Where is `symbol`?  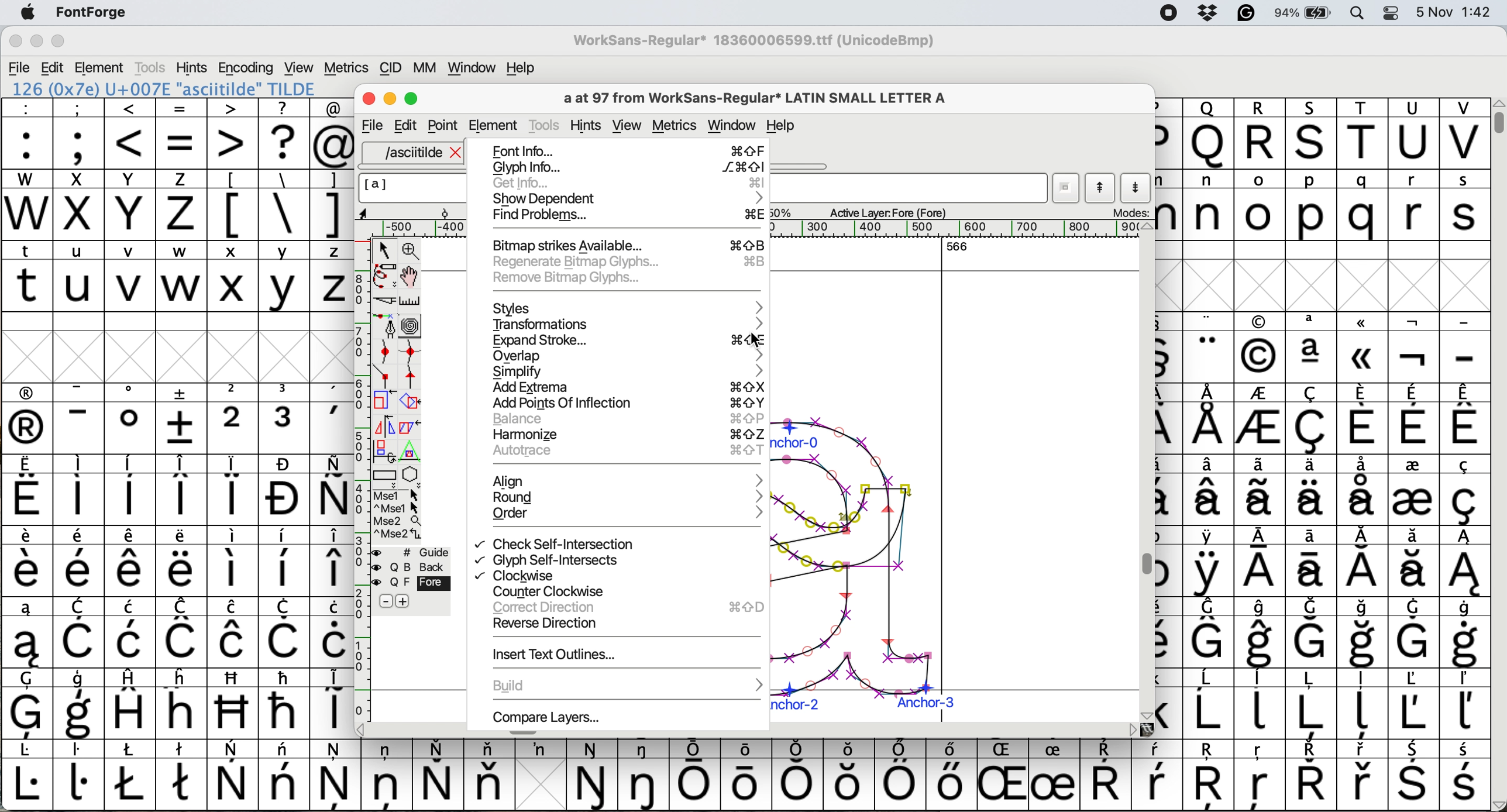 symbol is located at coordinates (1364, 562).